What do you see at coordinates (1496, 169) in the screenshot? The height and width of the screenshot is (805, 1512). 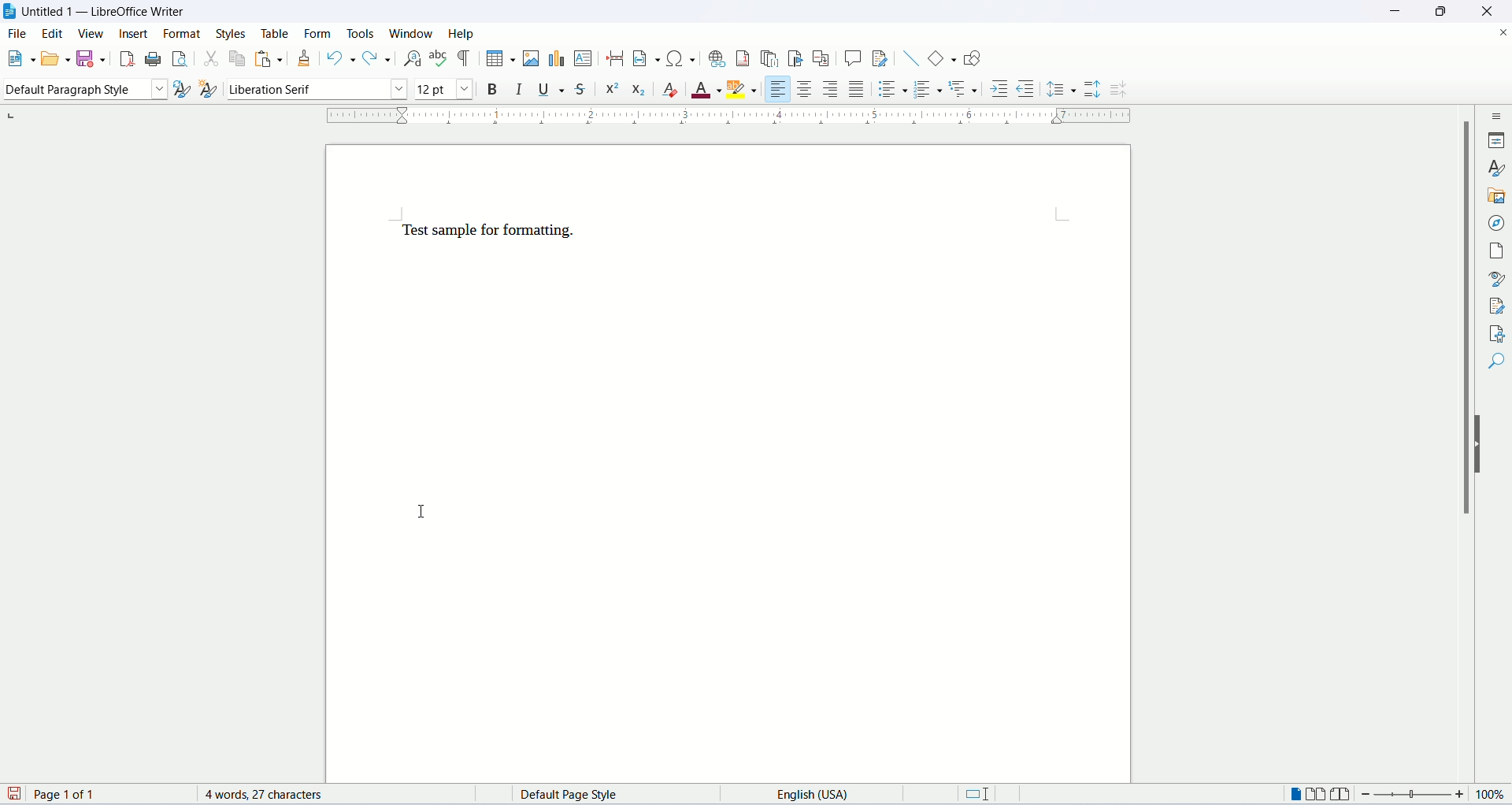 I see `style` at bounding box center [1496, 169].